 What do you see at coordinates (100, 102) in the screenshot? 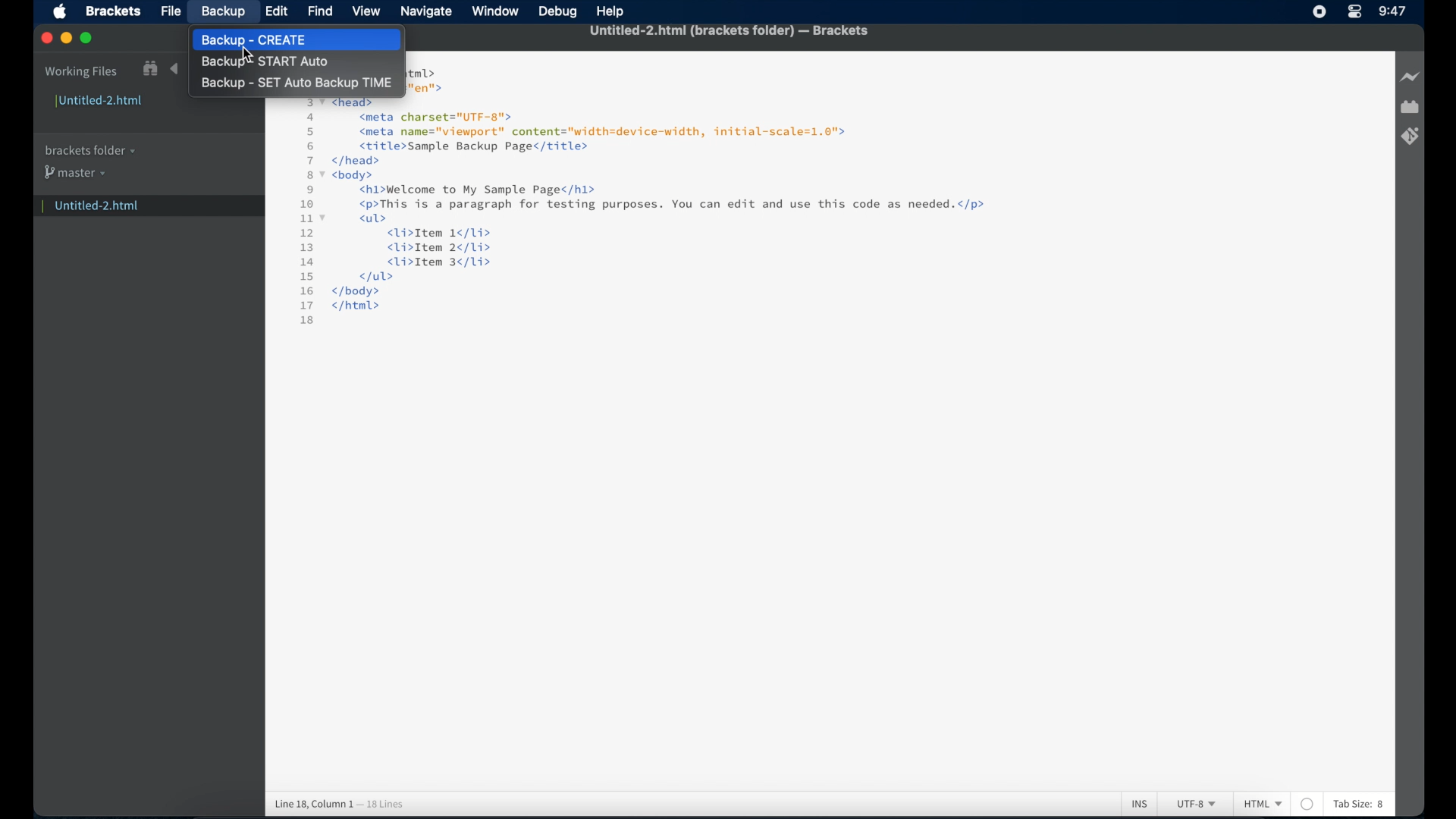
I see `untitled-2.html` at bounding box center [100, 102].